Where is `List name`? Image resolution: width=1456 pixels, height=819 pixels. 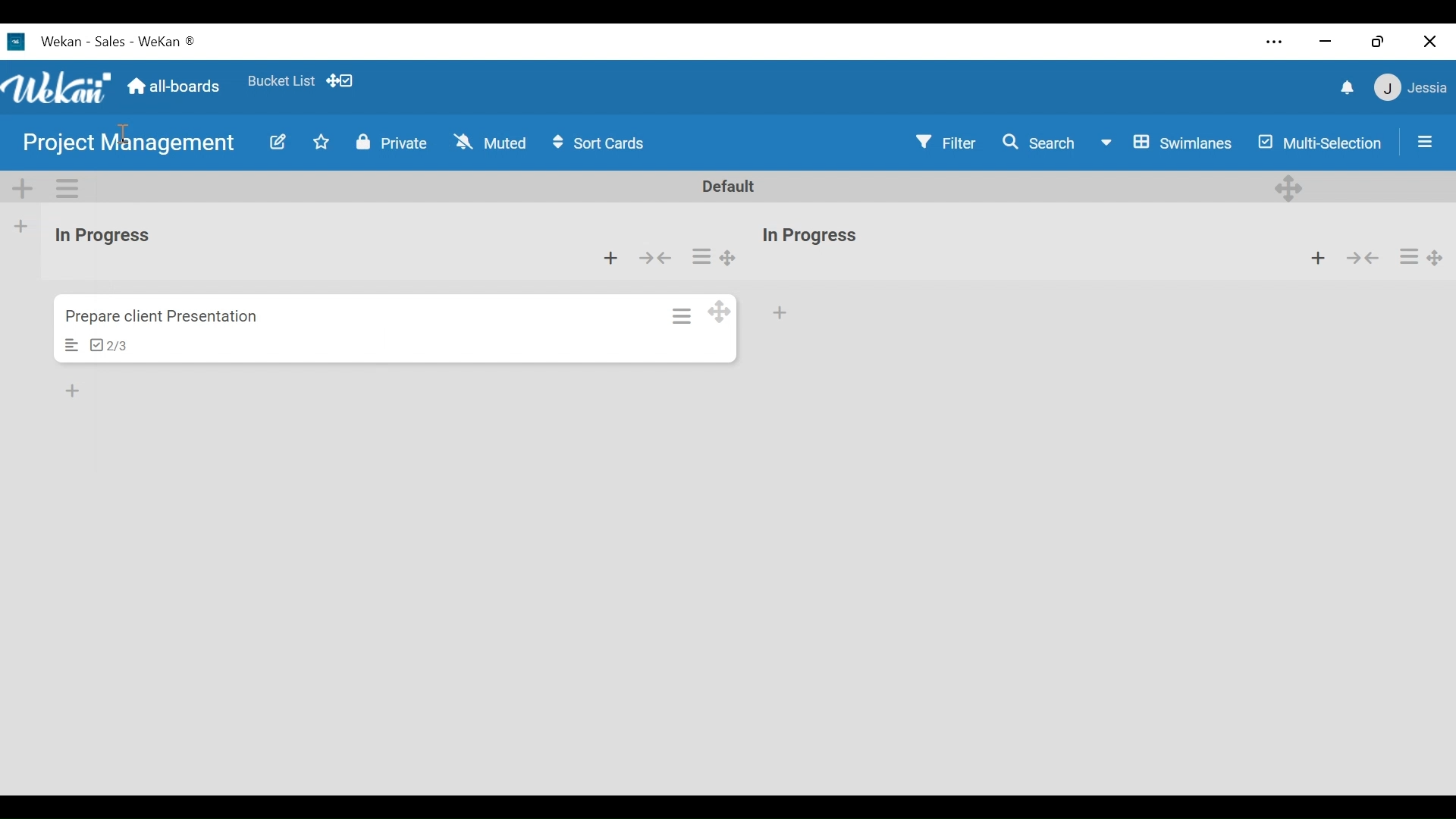 List name is located at coordinates (808, 237).